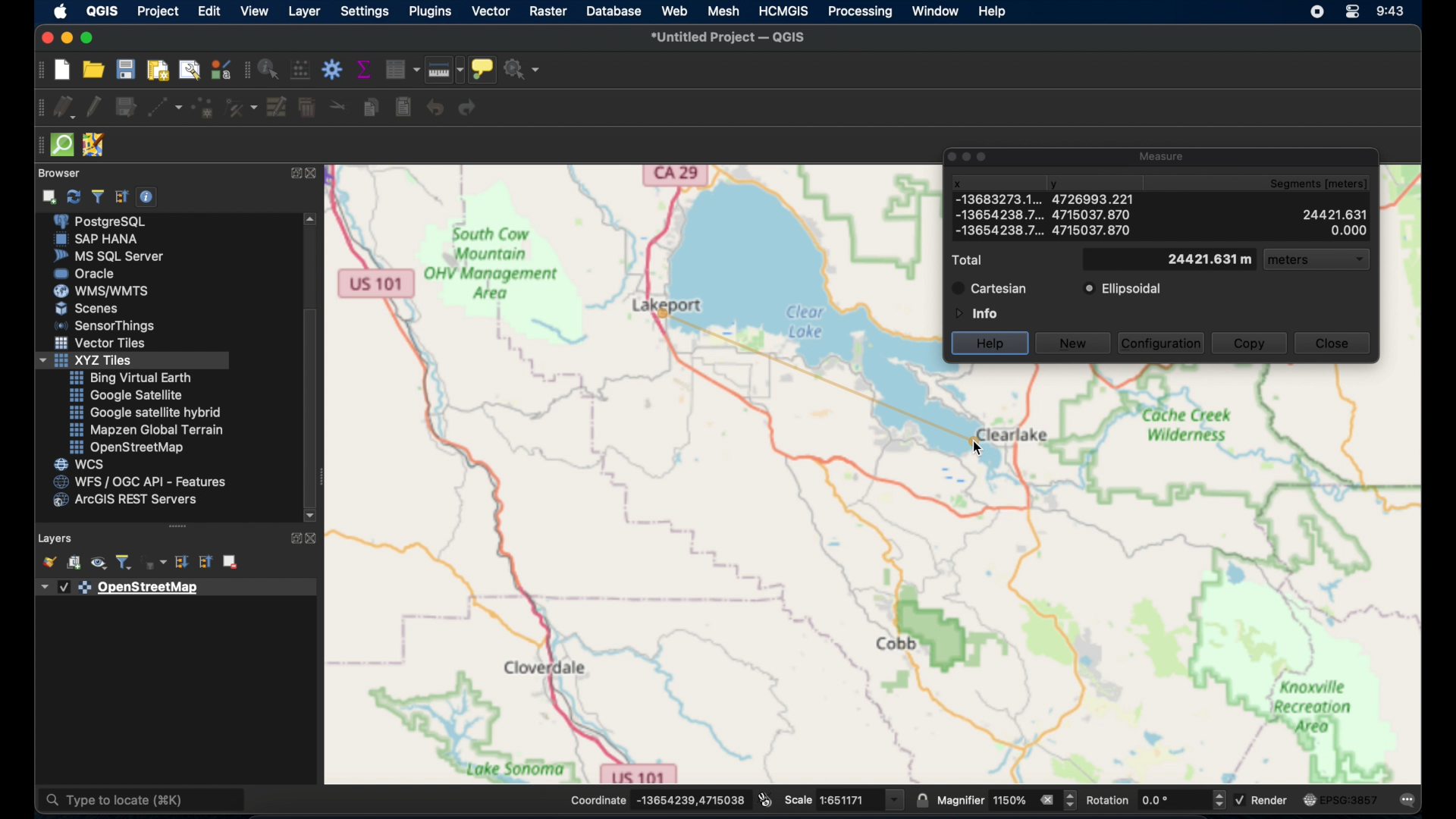  Describe the element at coordinates (63, 144) in the screenshot. I see `quicksom` at that location.